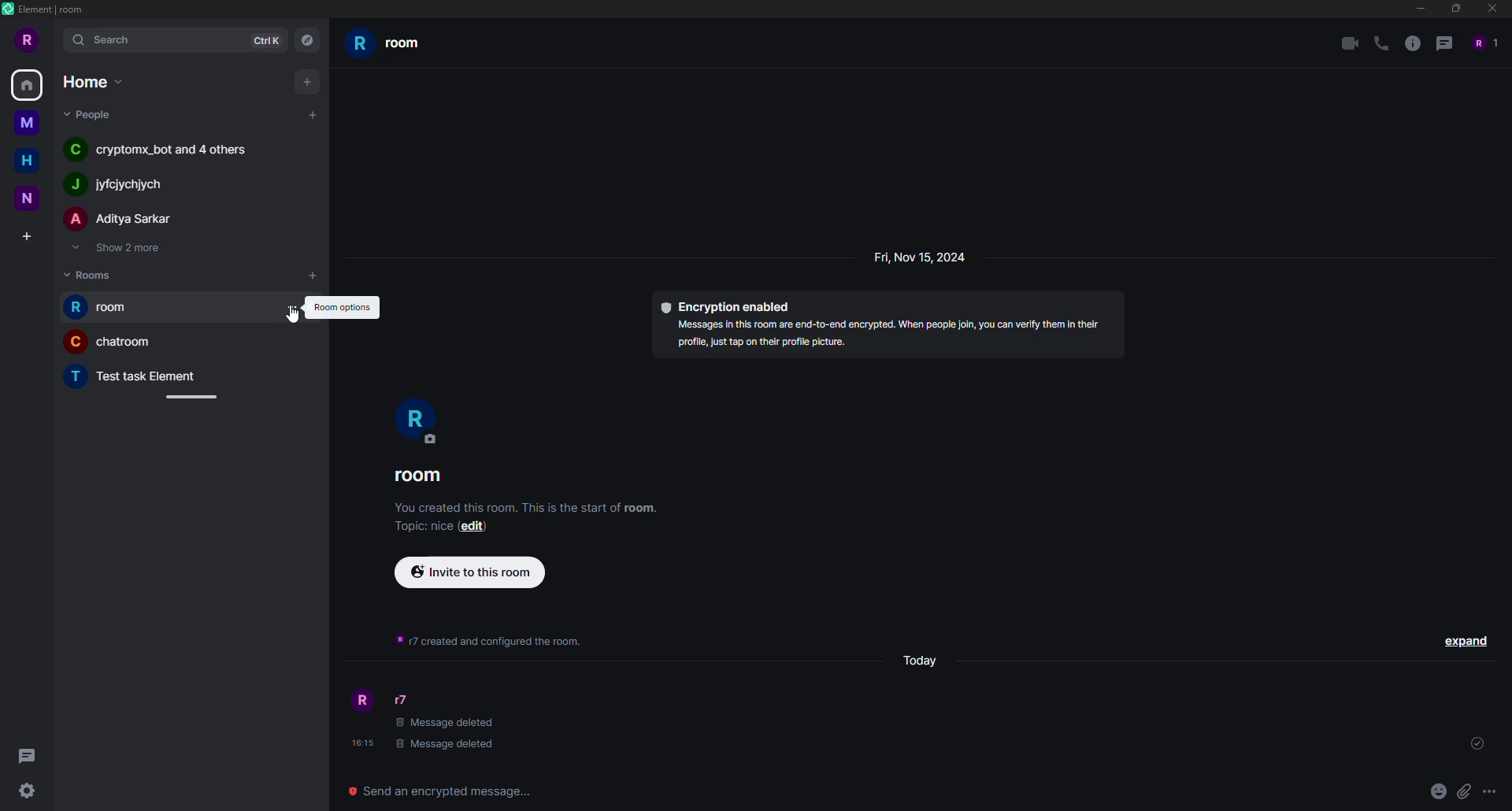  Describe the element at coordinates (448, 723) in the screenshot. I see `message deleted` at that location.